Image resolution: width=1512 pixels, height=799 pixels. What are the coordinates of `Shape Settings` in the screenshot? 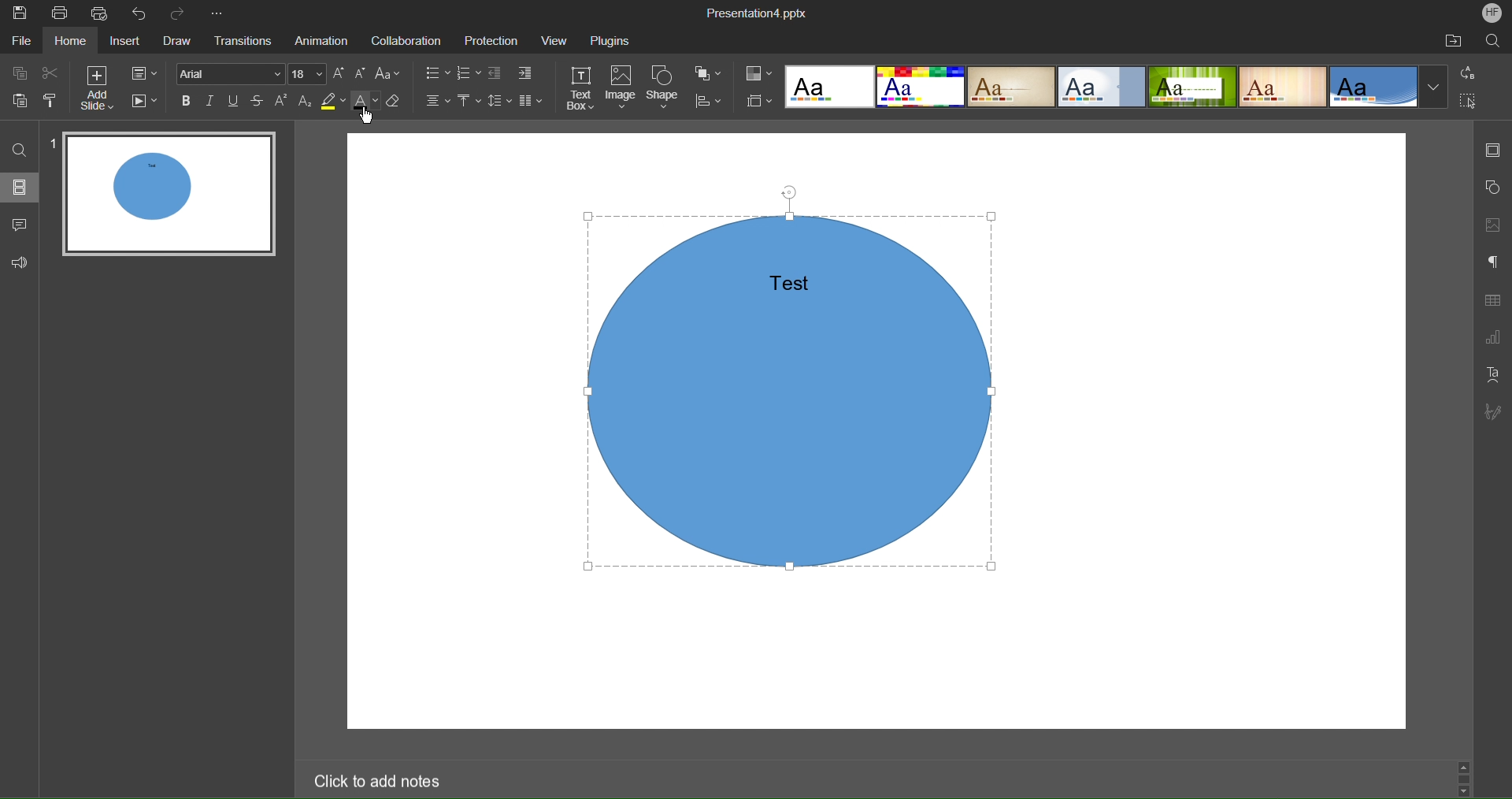 It's located at (1493, 187).